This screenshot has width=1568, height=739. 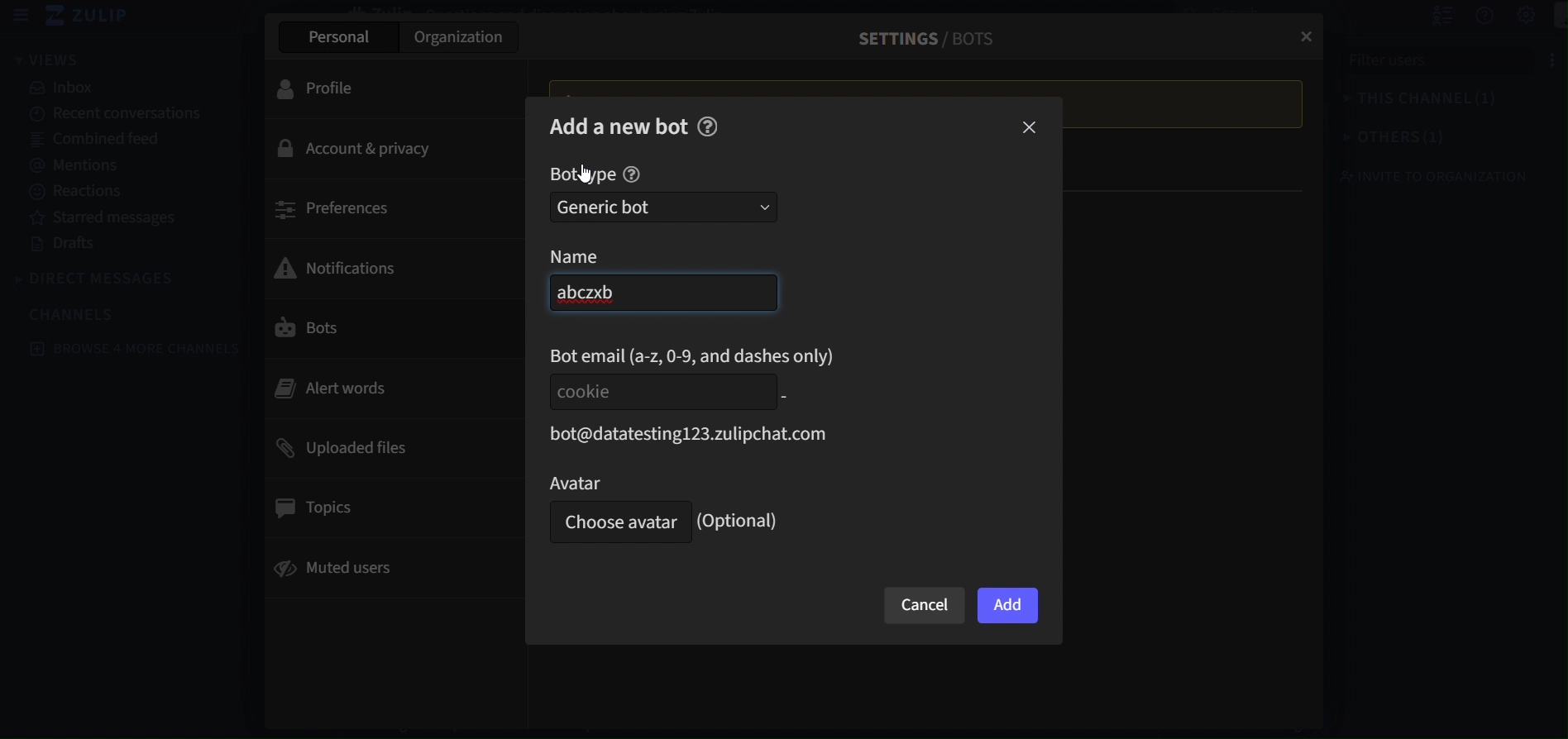 I want to click on get help, so click(x=1466, y=17).